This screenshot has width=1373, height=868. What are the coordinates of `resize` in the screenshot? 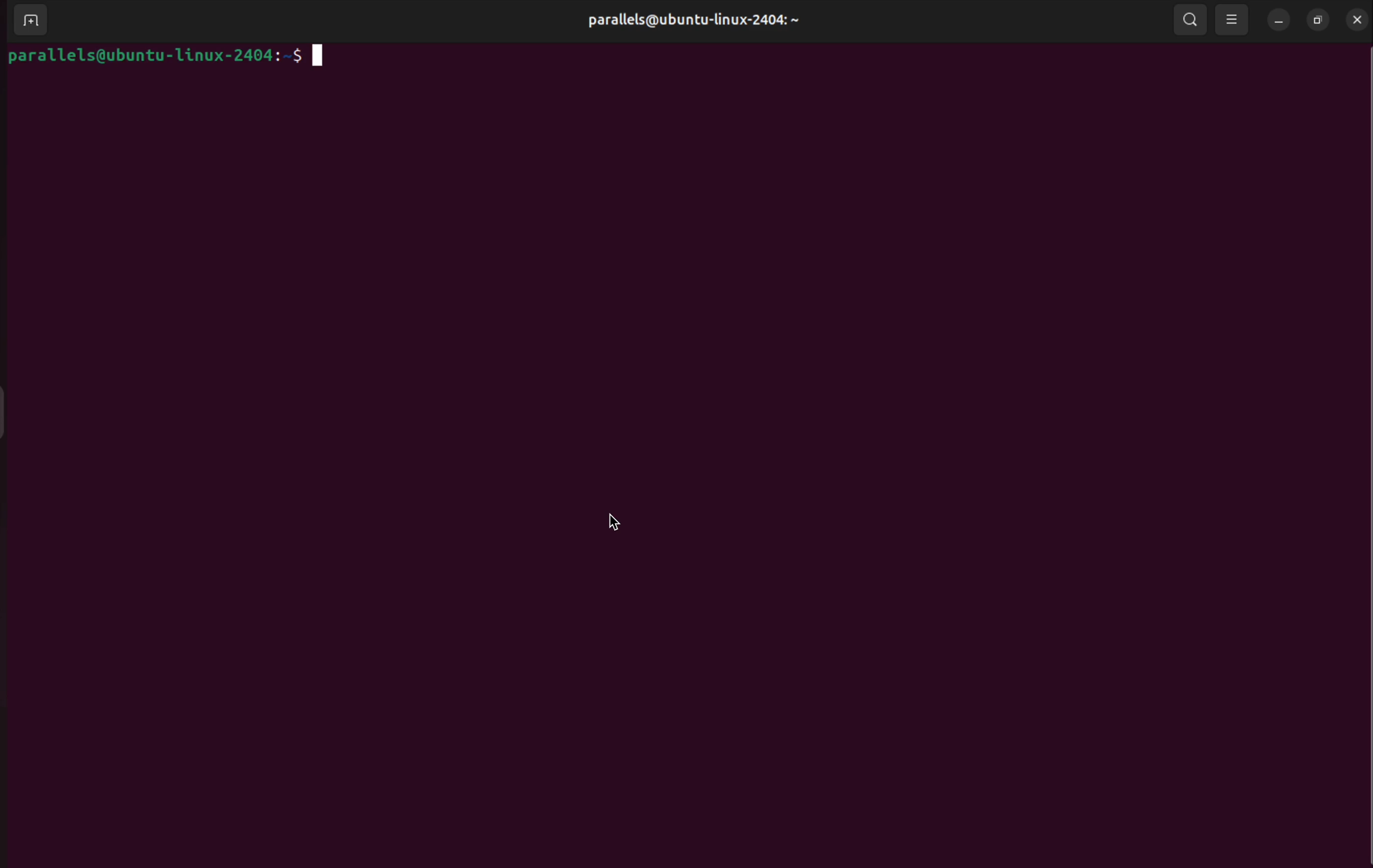 It's located at (1318, 19).